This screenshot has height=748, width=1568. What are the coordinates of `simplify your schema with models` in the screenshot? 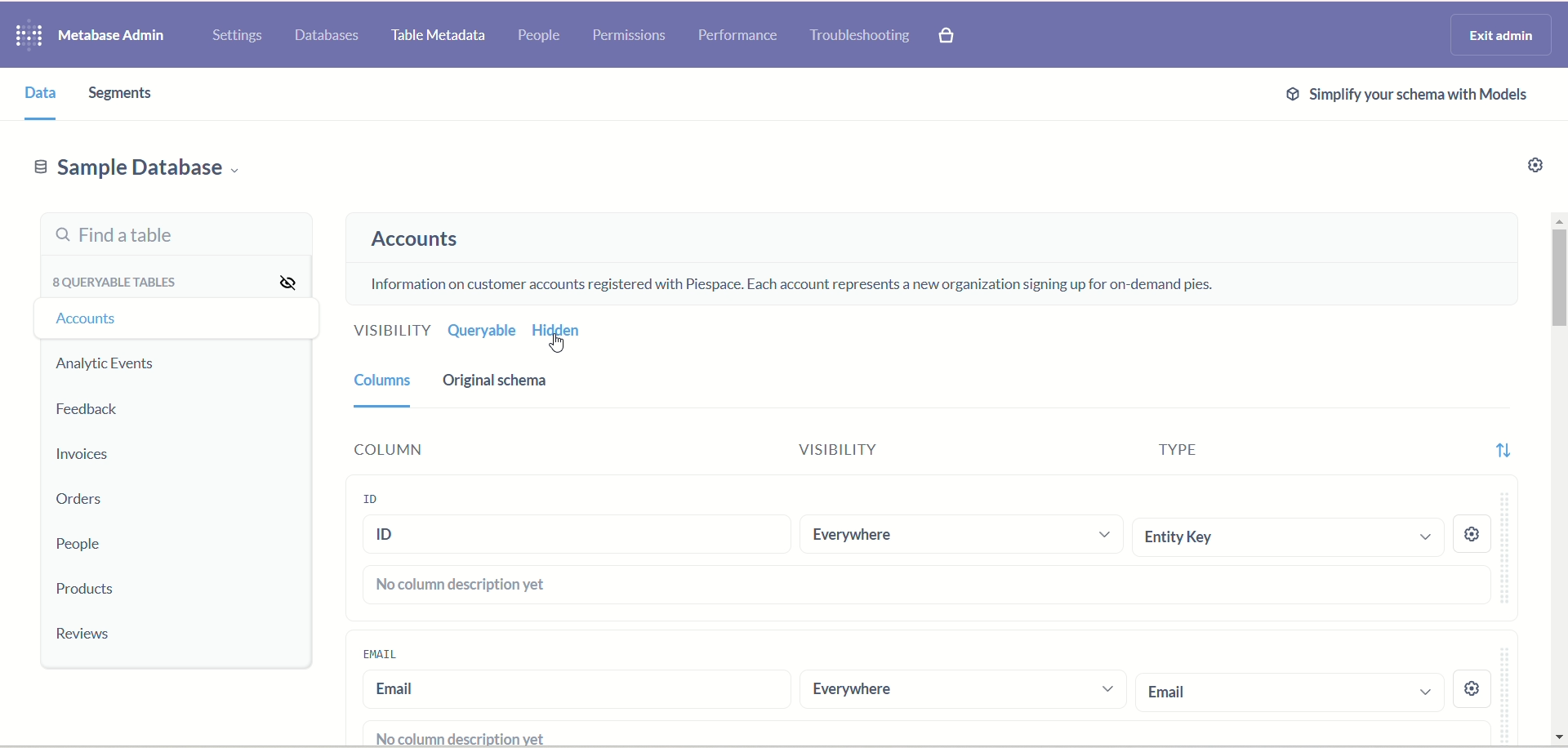 It's located at (1423, 98).